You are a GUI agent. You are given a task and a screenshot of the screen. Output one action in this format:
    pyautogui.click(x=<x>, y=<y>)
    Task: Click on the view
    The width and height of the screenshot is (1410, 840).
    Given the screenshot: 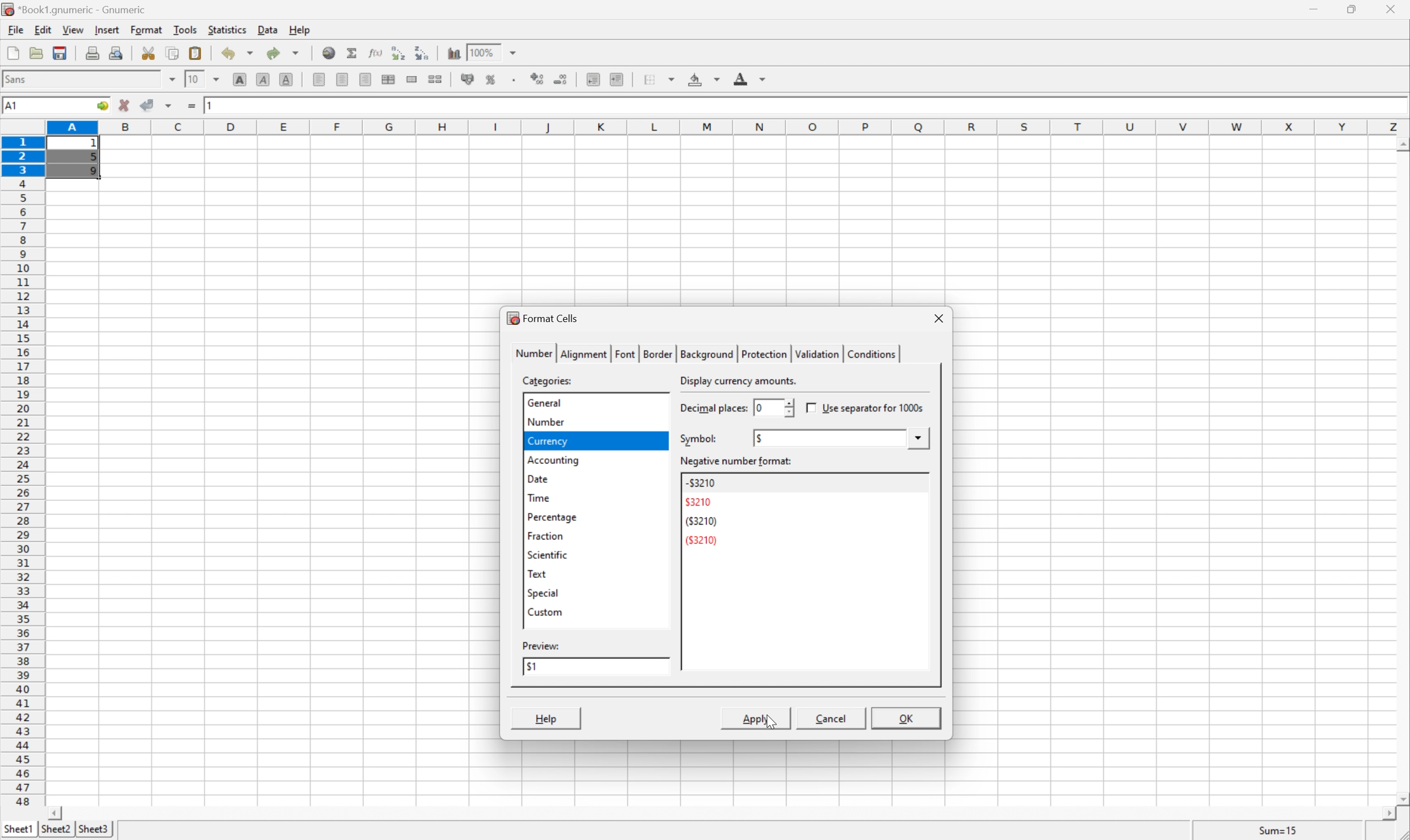 What is the action you would take?
    pyautogui.click(x=74, y=29)
    